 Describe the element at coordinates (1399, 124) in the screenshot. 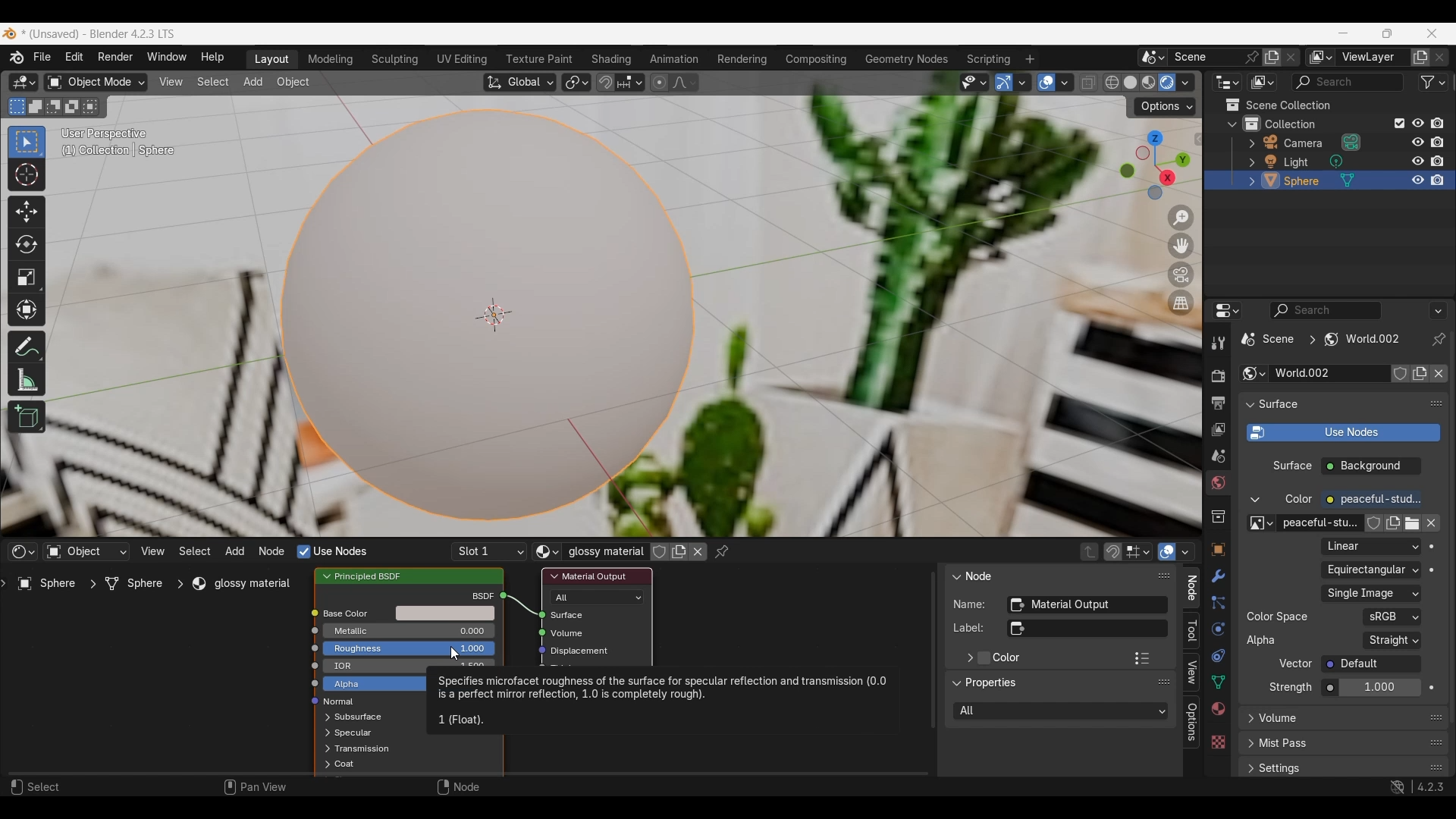

I see `Exclude from view layer` at that location.